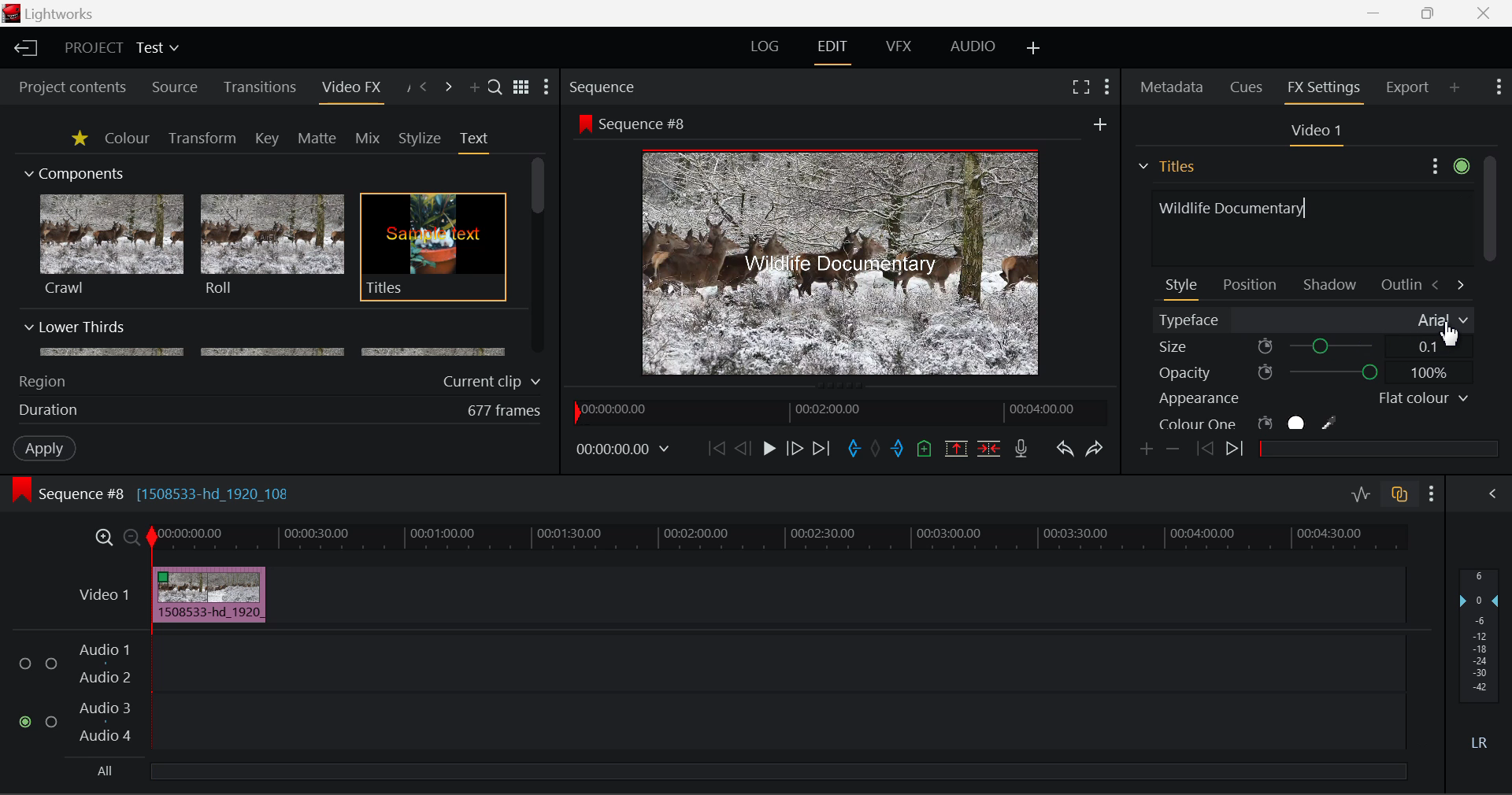 The width and height of the screenshot is (1512, 795). Describe the element at coordinates (523, 87) in the screenshot. I see `Toggle list and title view` at that location.